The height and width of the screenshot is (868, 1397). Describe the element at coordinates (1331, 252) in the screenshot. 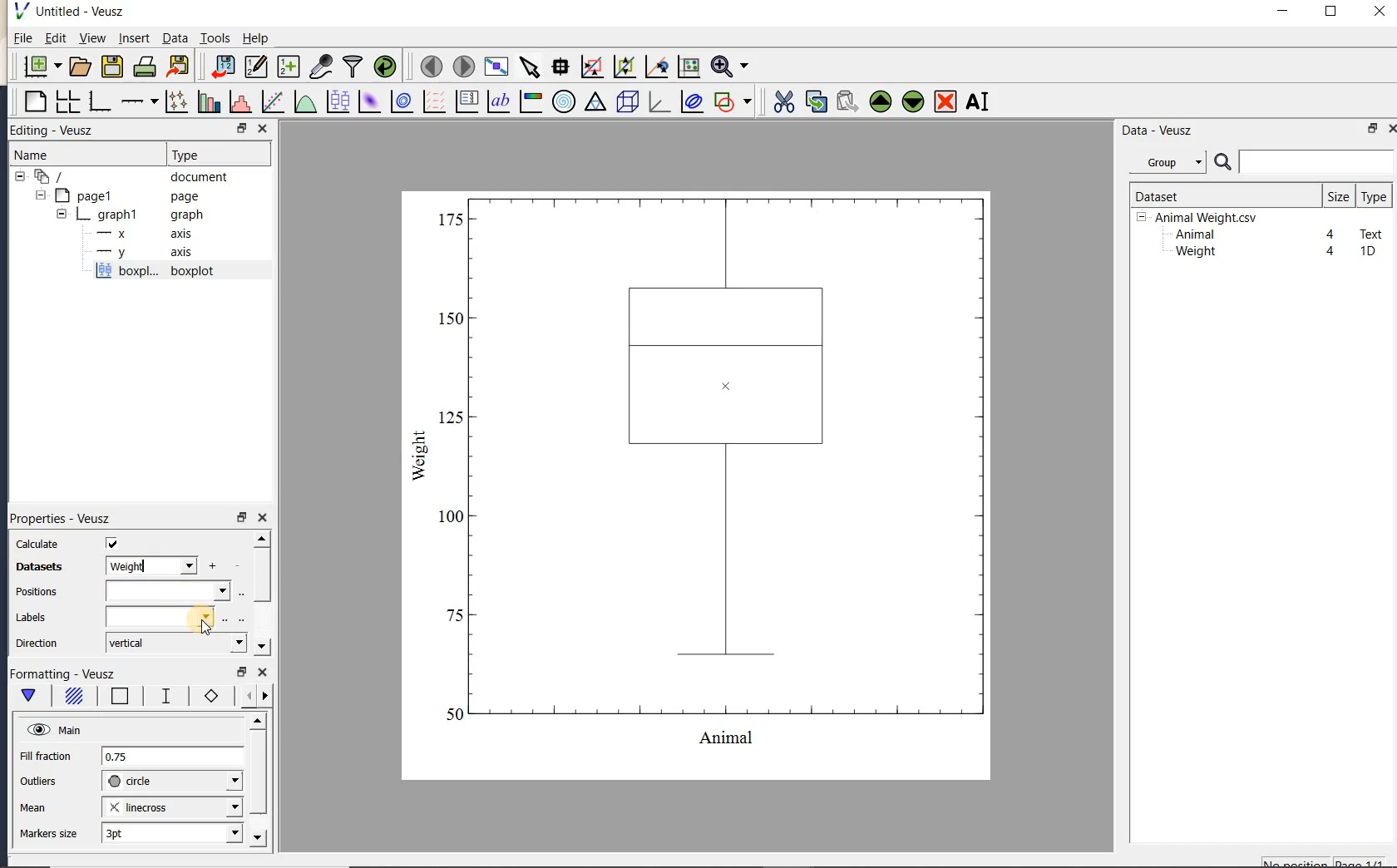

I see `4` at that location.